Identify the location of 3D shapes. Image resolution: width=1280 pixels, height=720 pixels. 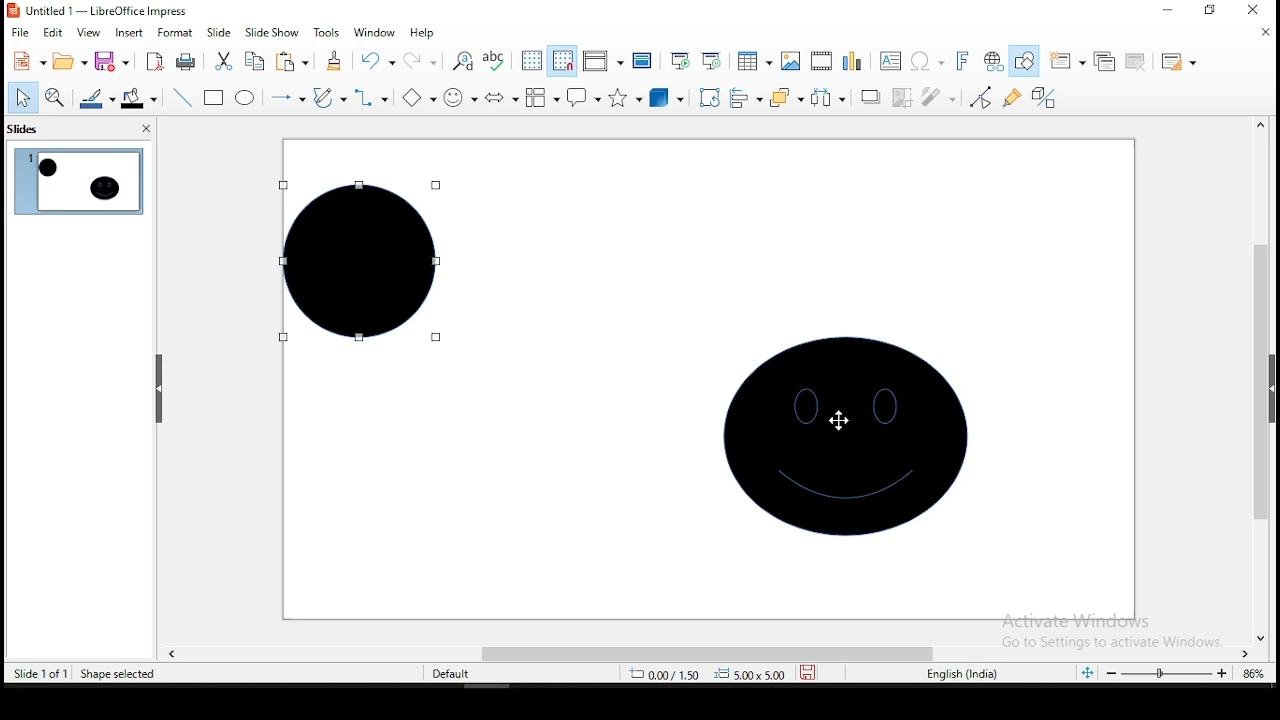
(667, 99).